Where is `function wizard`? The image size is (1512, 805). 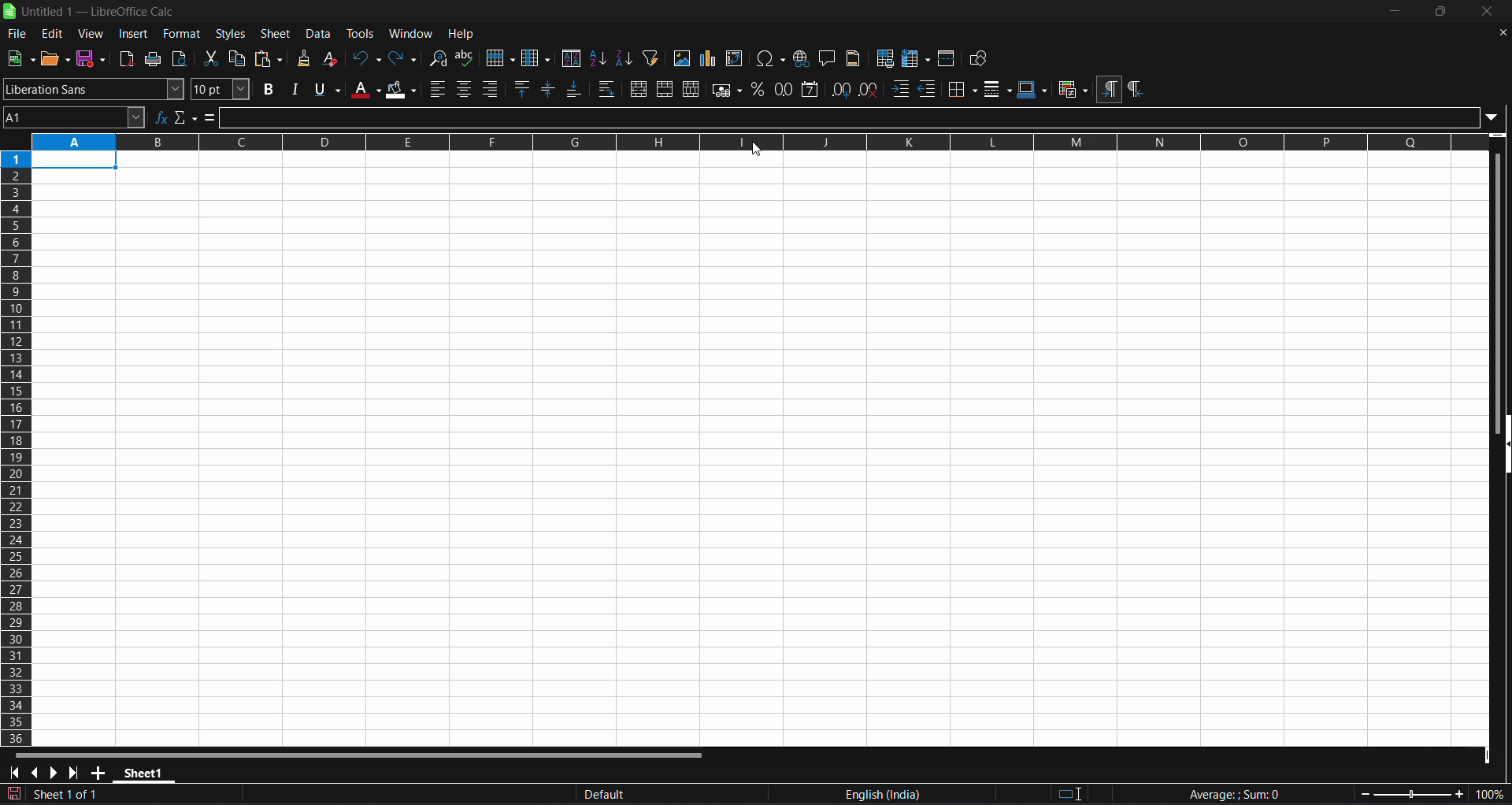
function wizard is located at coordinates (160, 116).